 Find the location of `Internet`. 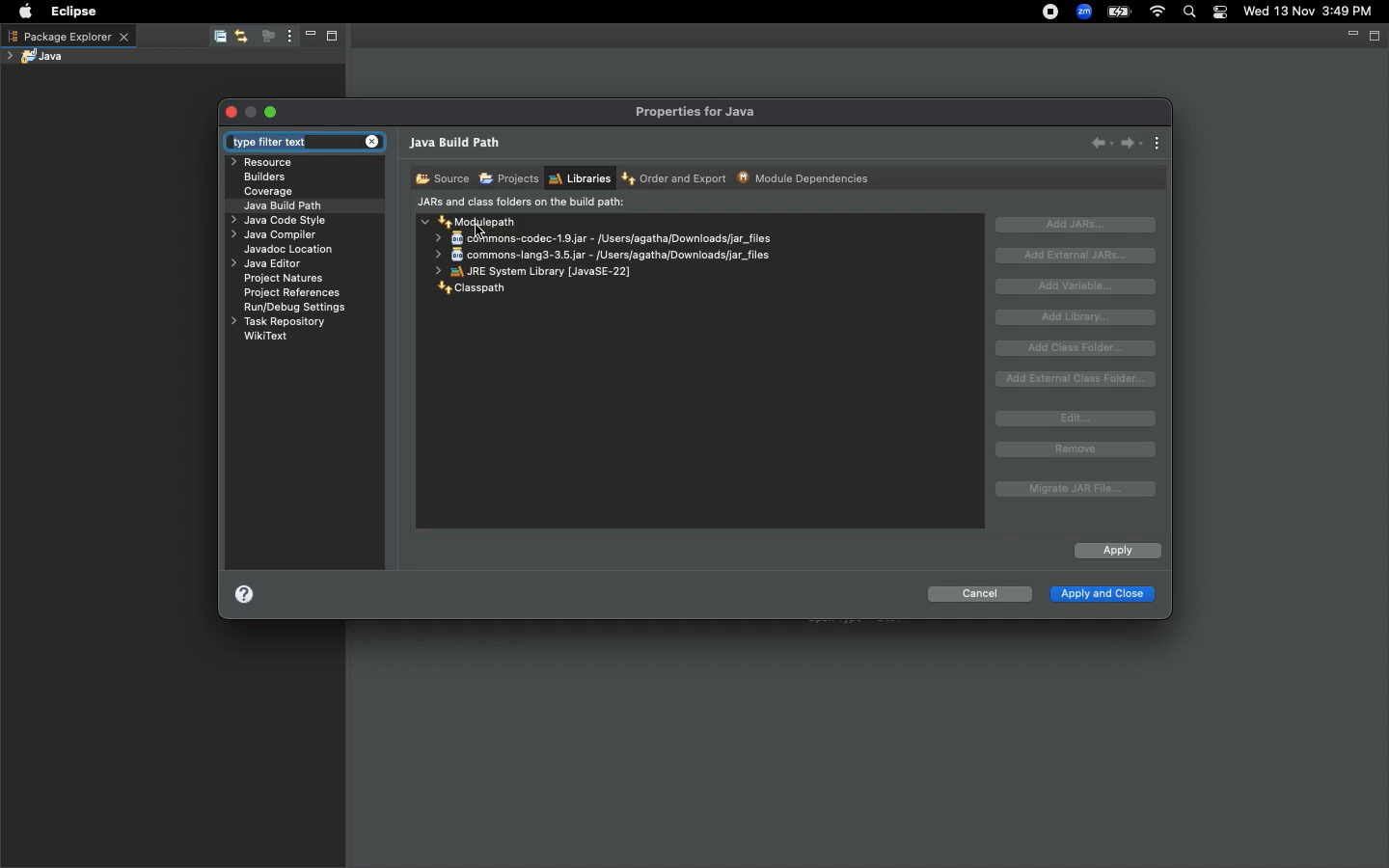

Internet is located at coordinates (1158, 13).